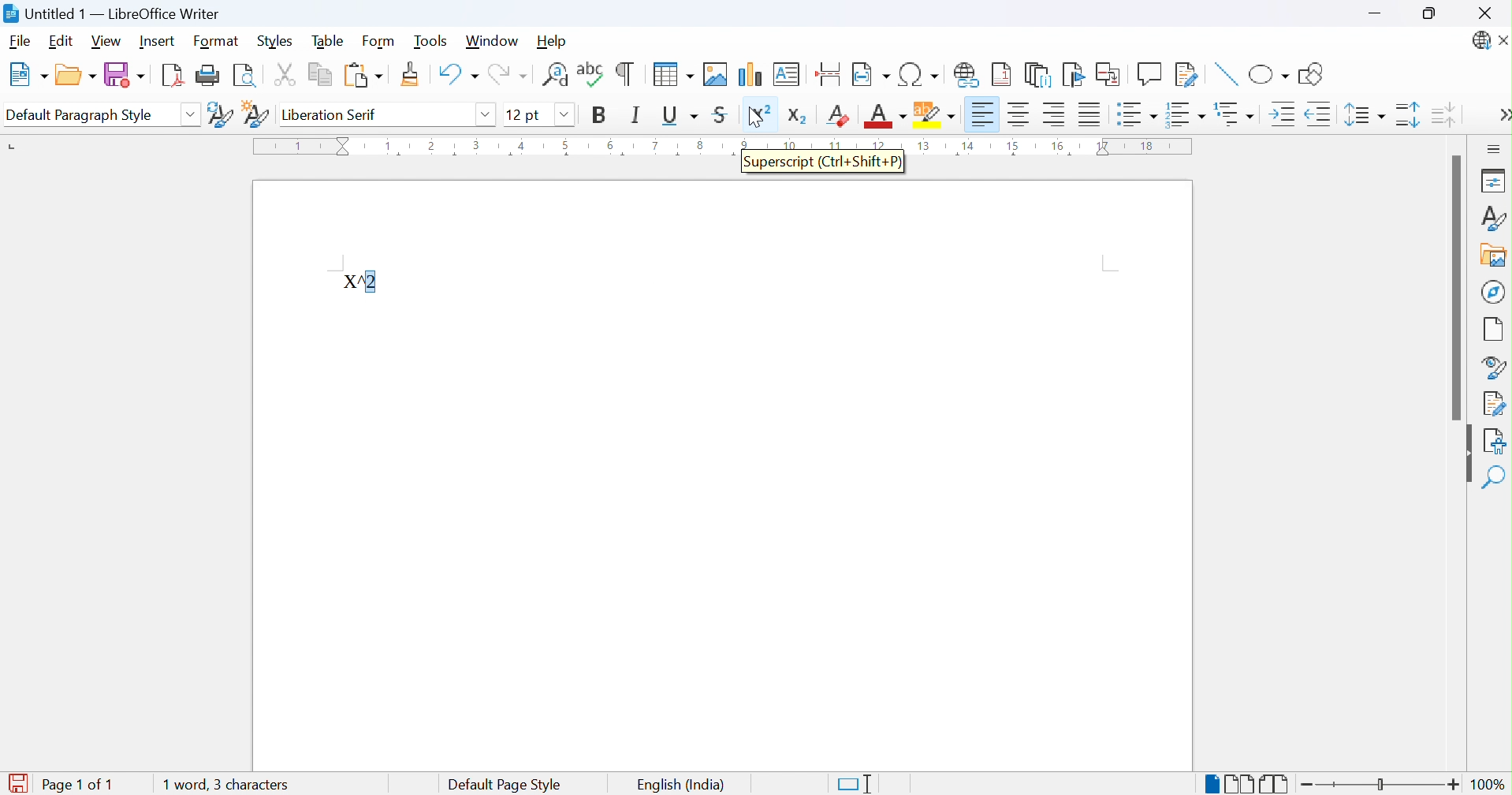 The width and height of the screenshot is (1512, 795). I want to click on Subscript, so click(799, 118).